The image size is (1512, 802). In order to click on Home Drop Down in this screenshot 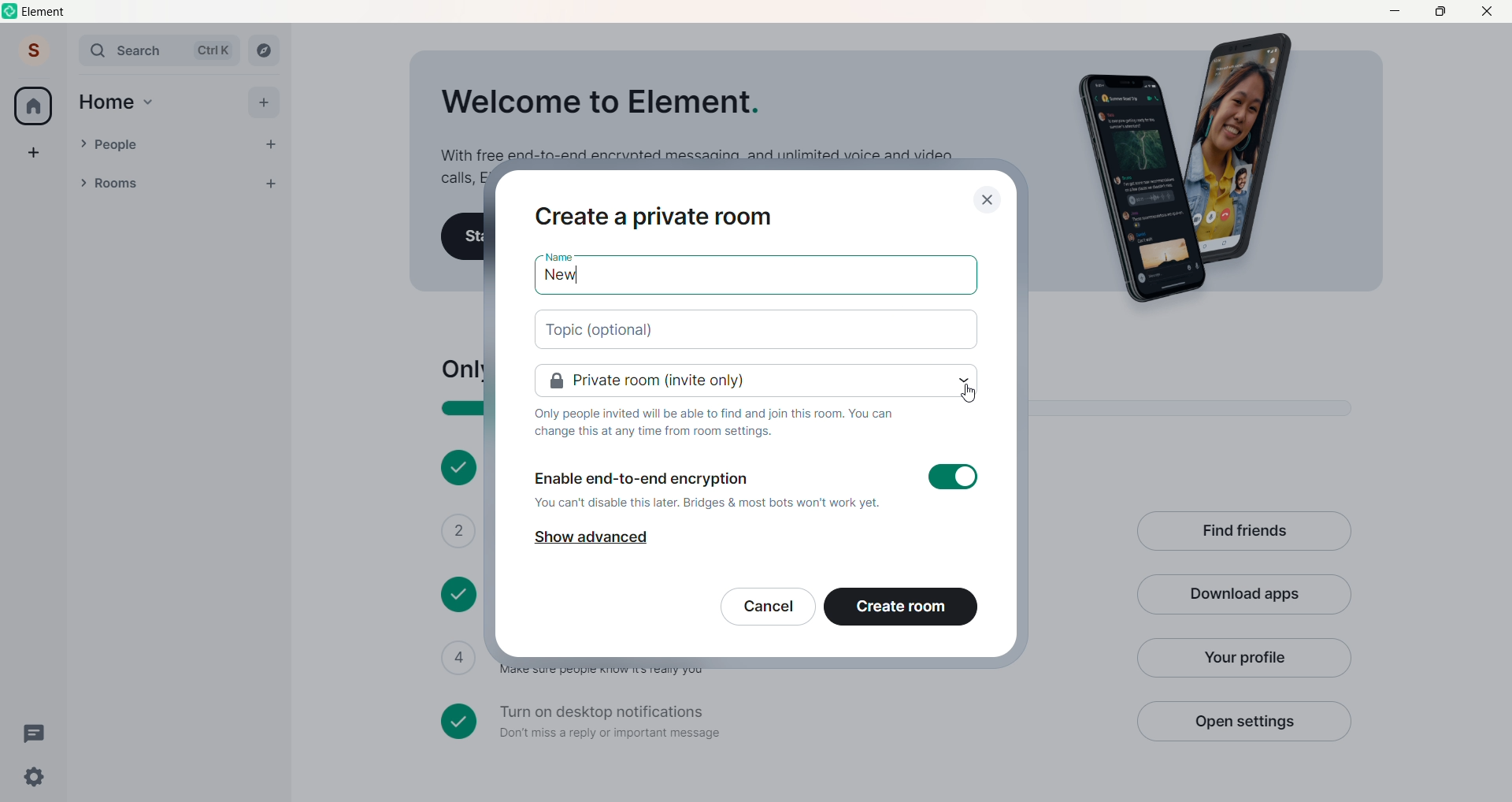, I will do `click(149, 102)`.